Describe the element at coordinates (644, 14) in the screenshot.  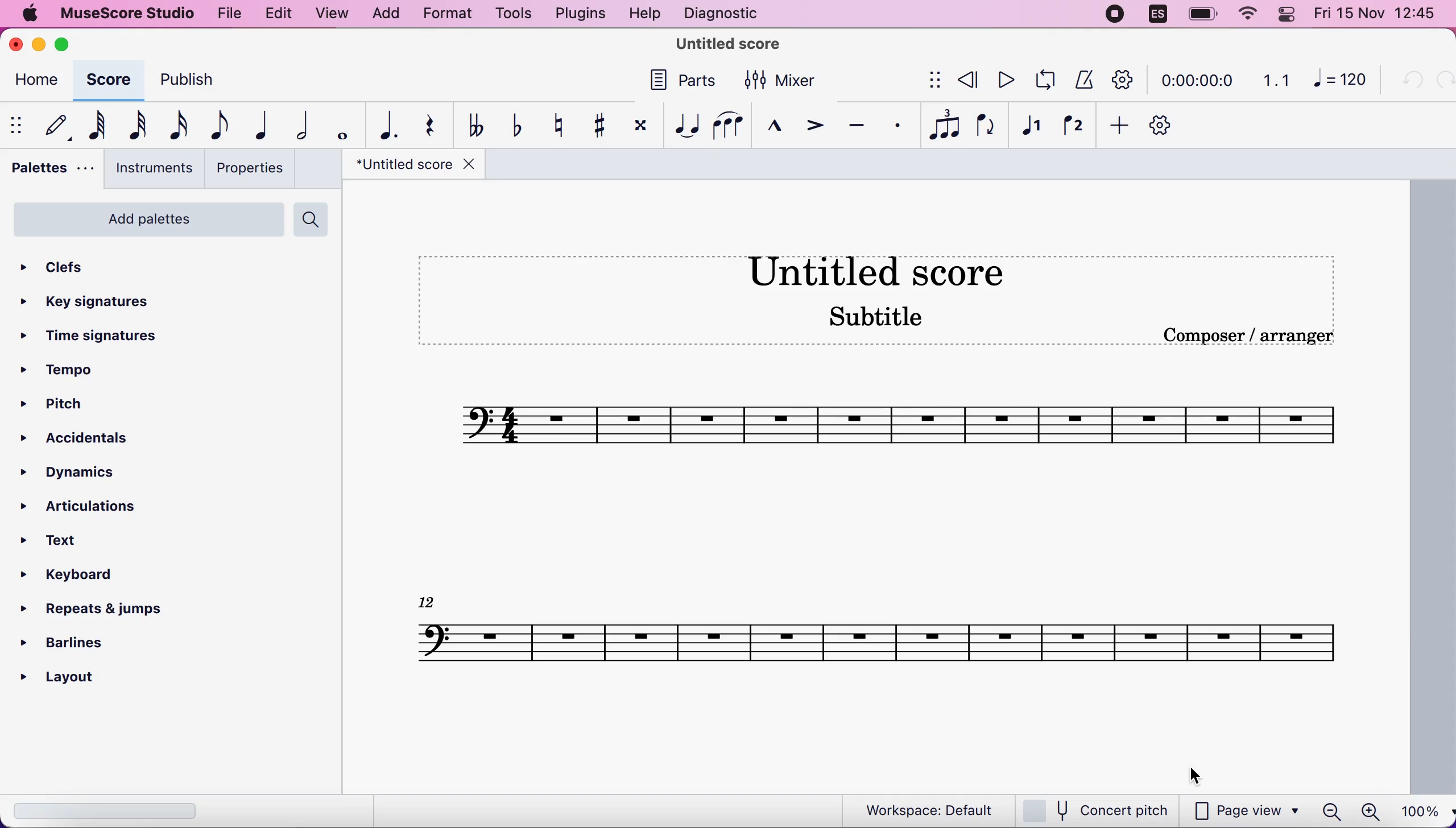
I see `help` at that location.